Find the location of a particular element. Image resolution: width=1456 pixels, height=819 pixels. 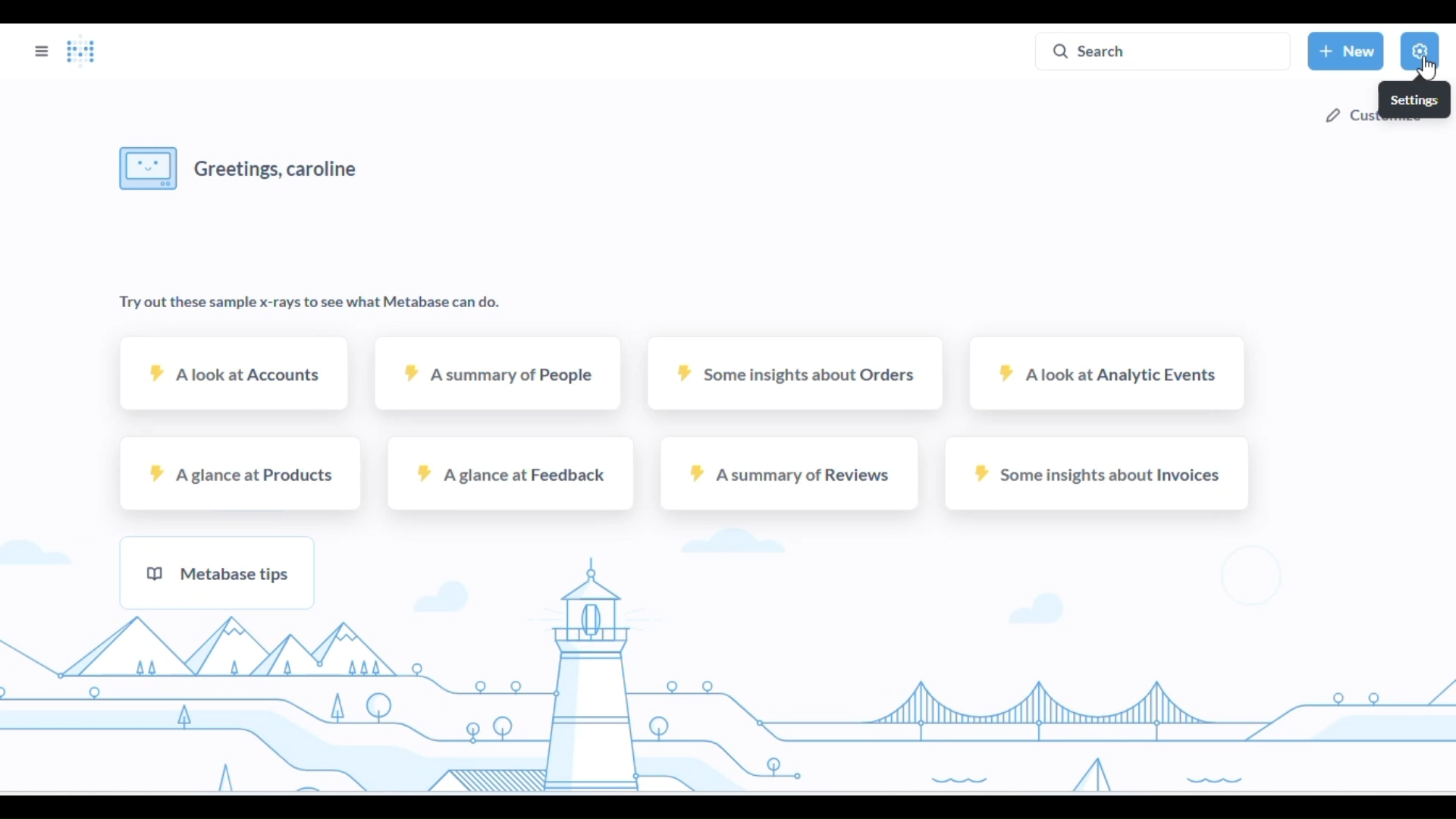

some insights about orders is located at coordinates (795, 372).